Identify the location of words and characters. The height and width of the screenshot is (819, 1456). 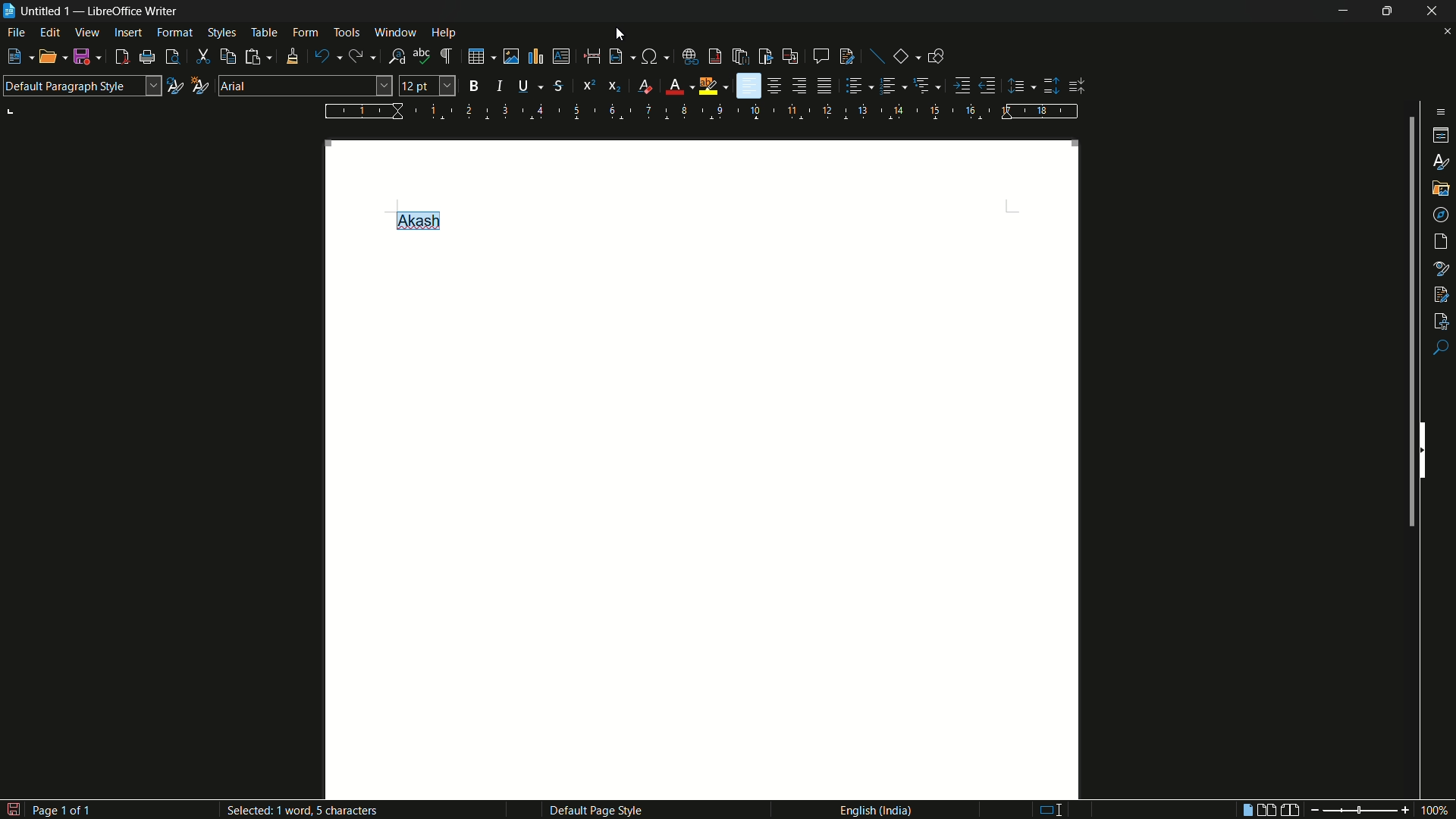
(306, 812).